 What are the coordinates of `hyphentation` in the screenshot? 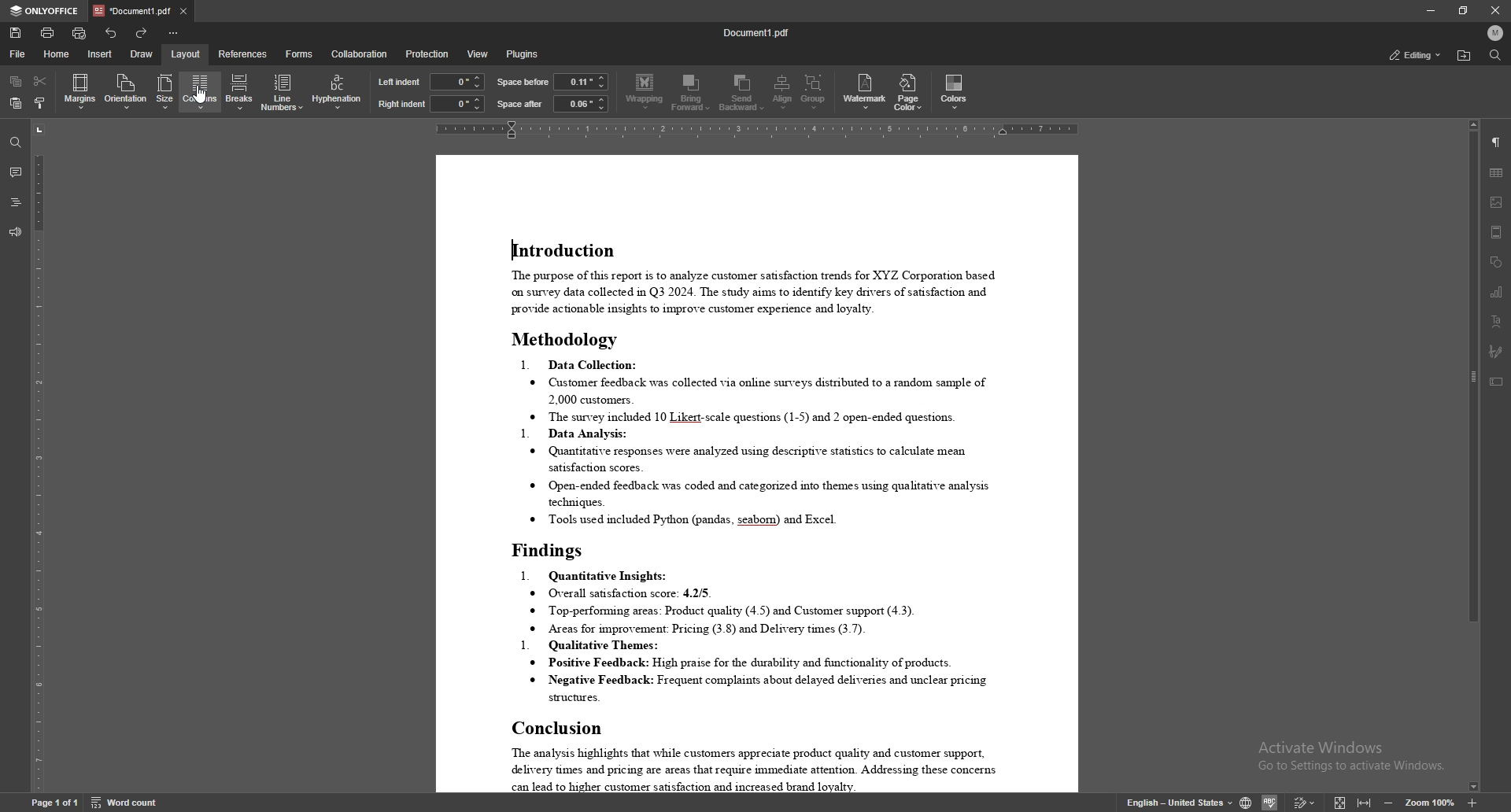 It's located at (338, 90).